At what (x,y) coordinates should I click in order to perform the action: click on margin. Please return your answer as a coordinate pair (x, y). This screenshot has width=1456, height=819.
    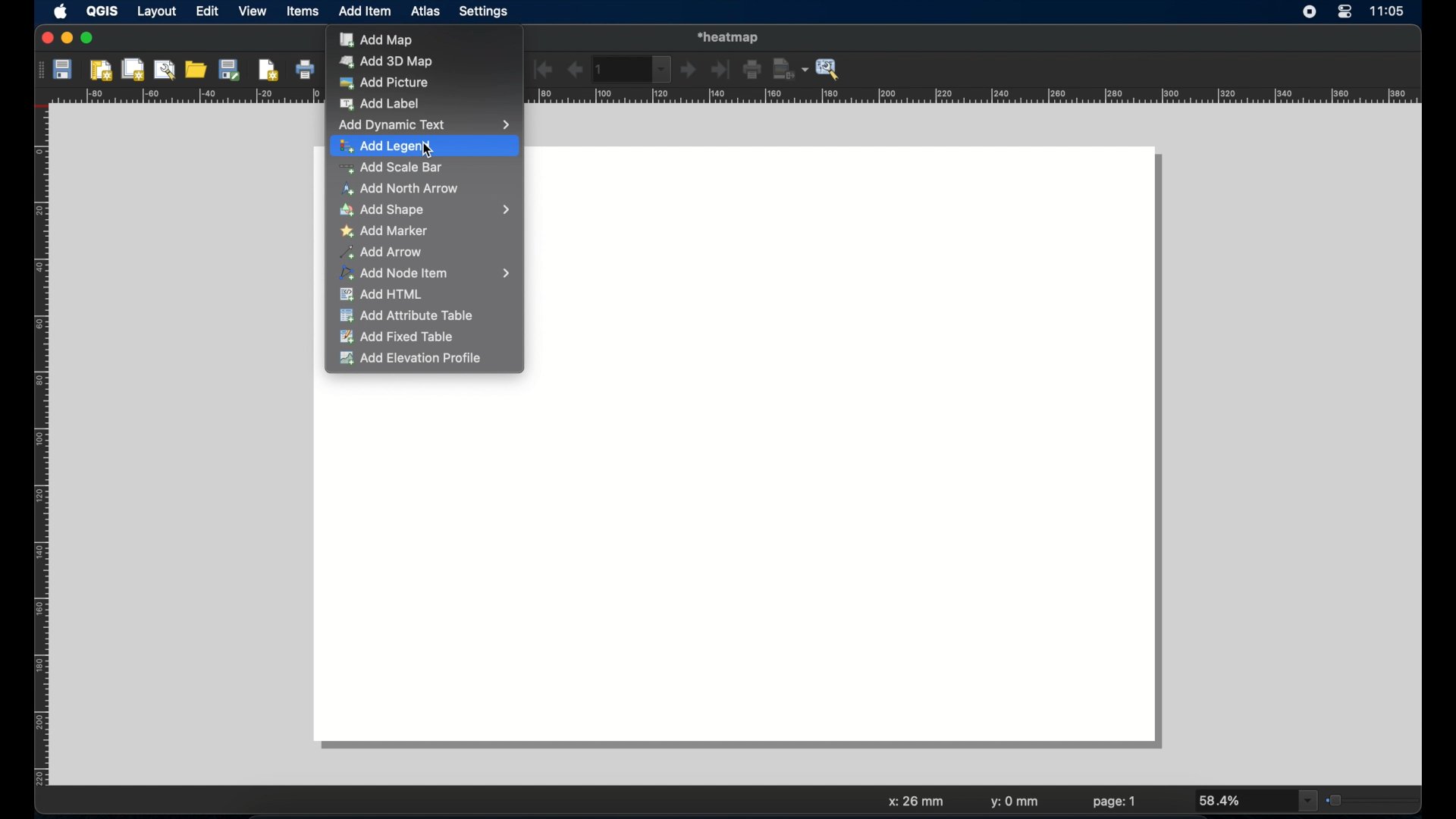
    Looking at the image, I should click on (36, 448).